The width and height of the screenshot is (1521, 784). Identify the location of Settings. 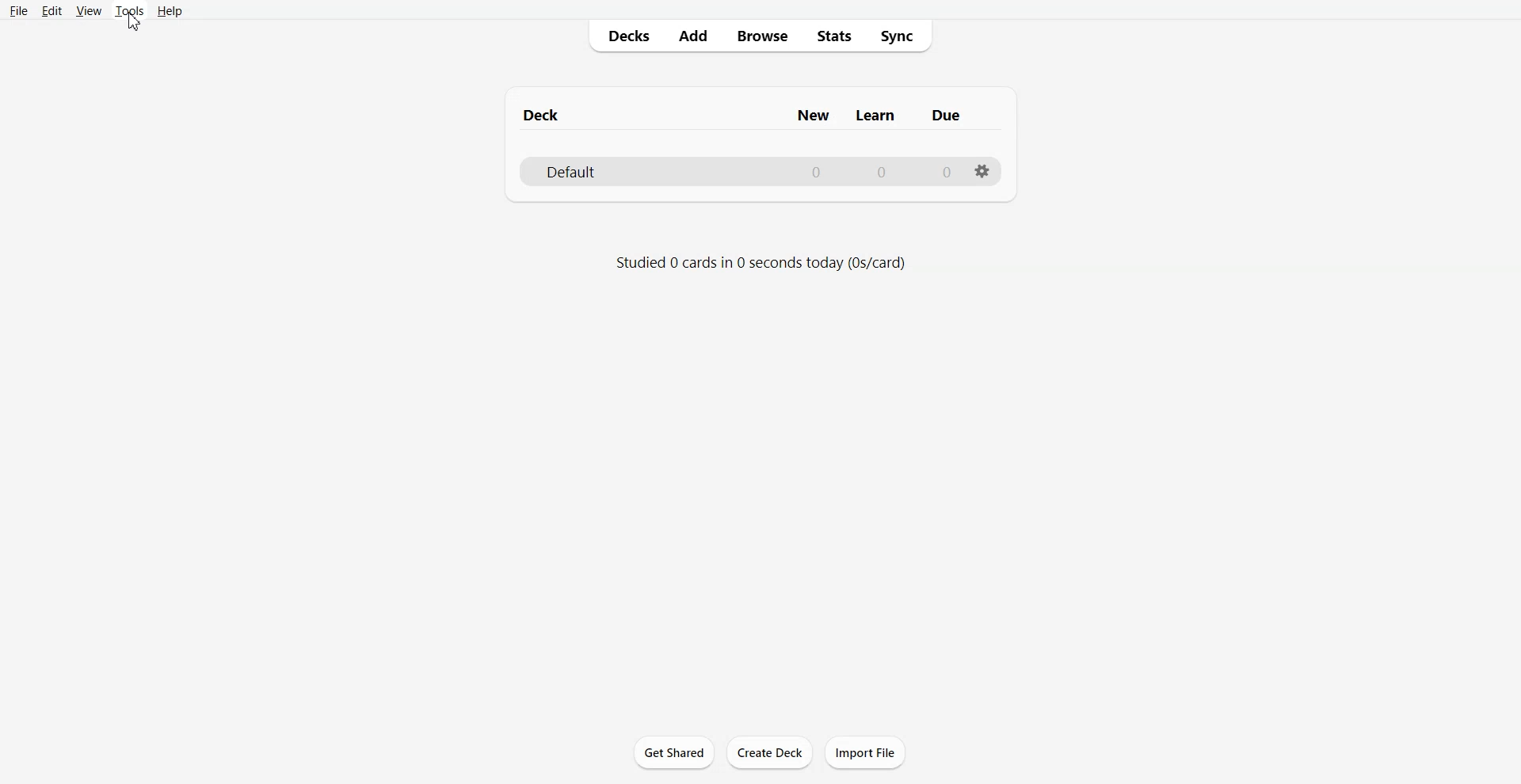
(982, 172).